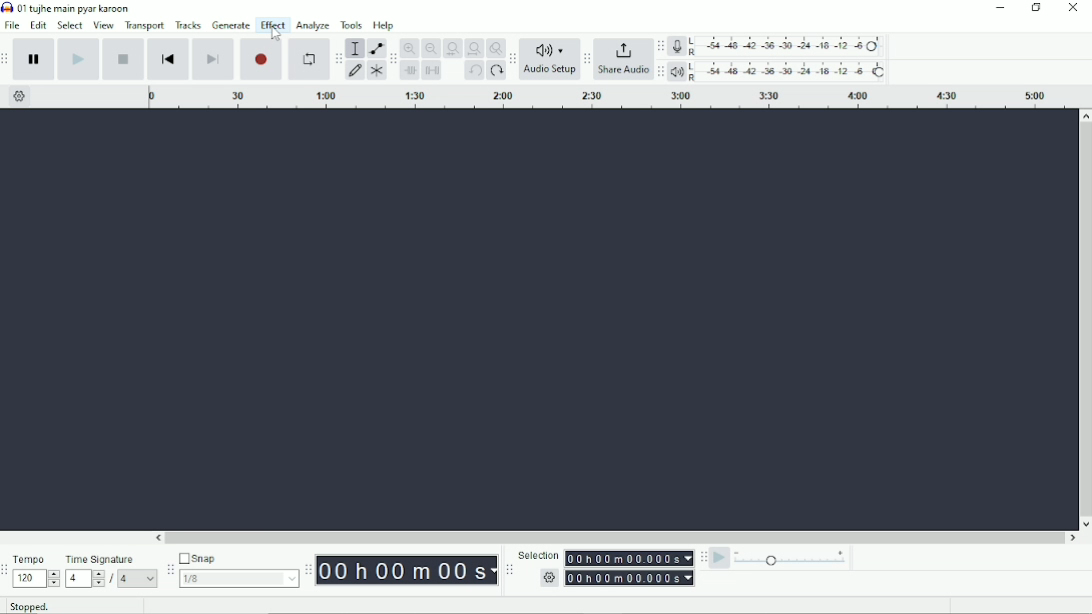 This screenshot has height=614, width=1092. Describe the element at coordinates (272, 25) in the screenshot. I see `Effect` at that location.